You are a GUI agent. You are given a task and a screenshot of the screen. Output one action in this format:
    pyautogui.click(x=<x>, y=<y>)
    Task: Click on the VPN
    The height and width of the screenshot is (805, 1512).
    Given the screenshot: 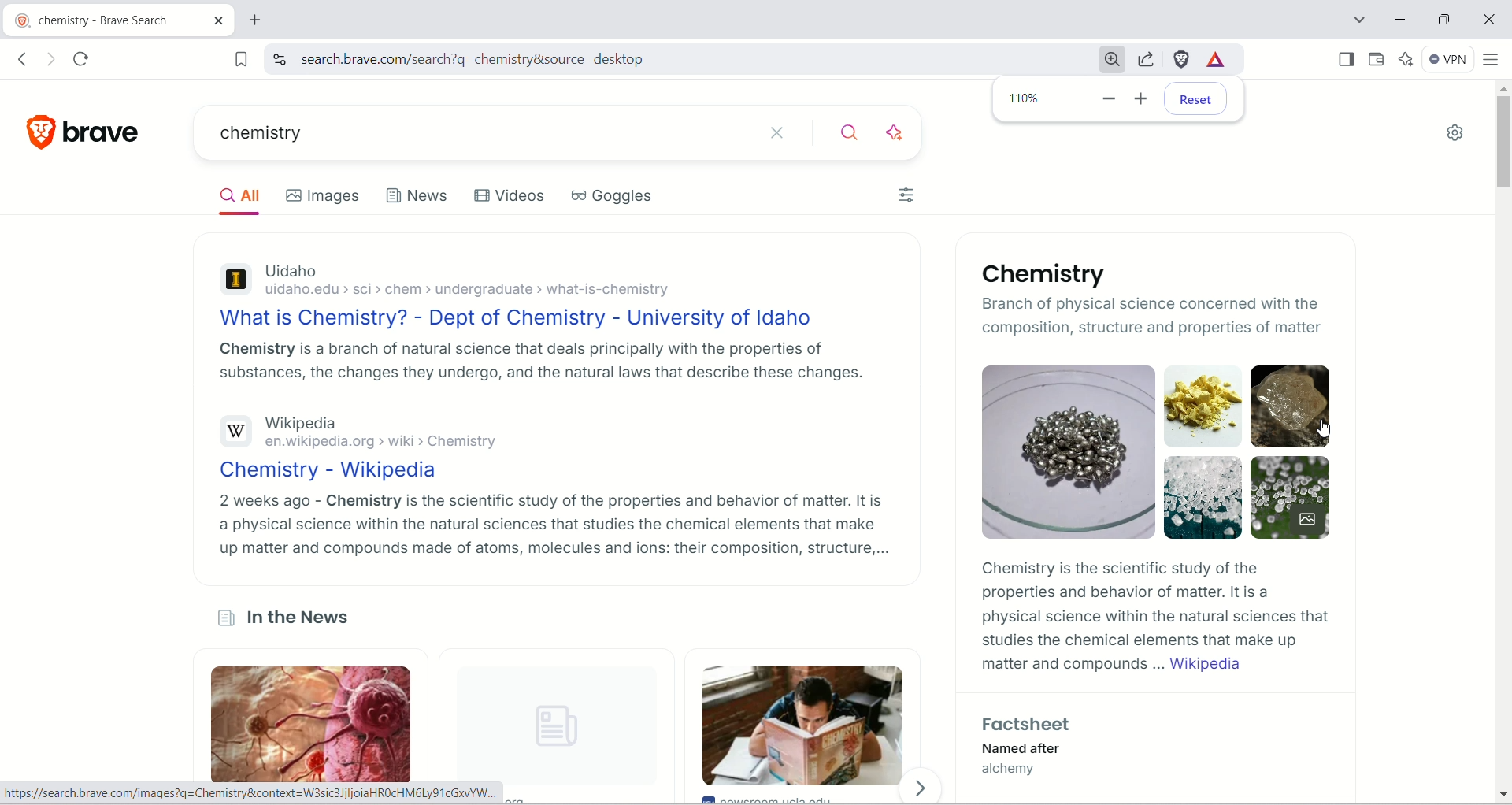 What is the action you would take?
    pyautogui.click(x=1447, y=61)
    